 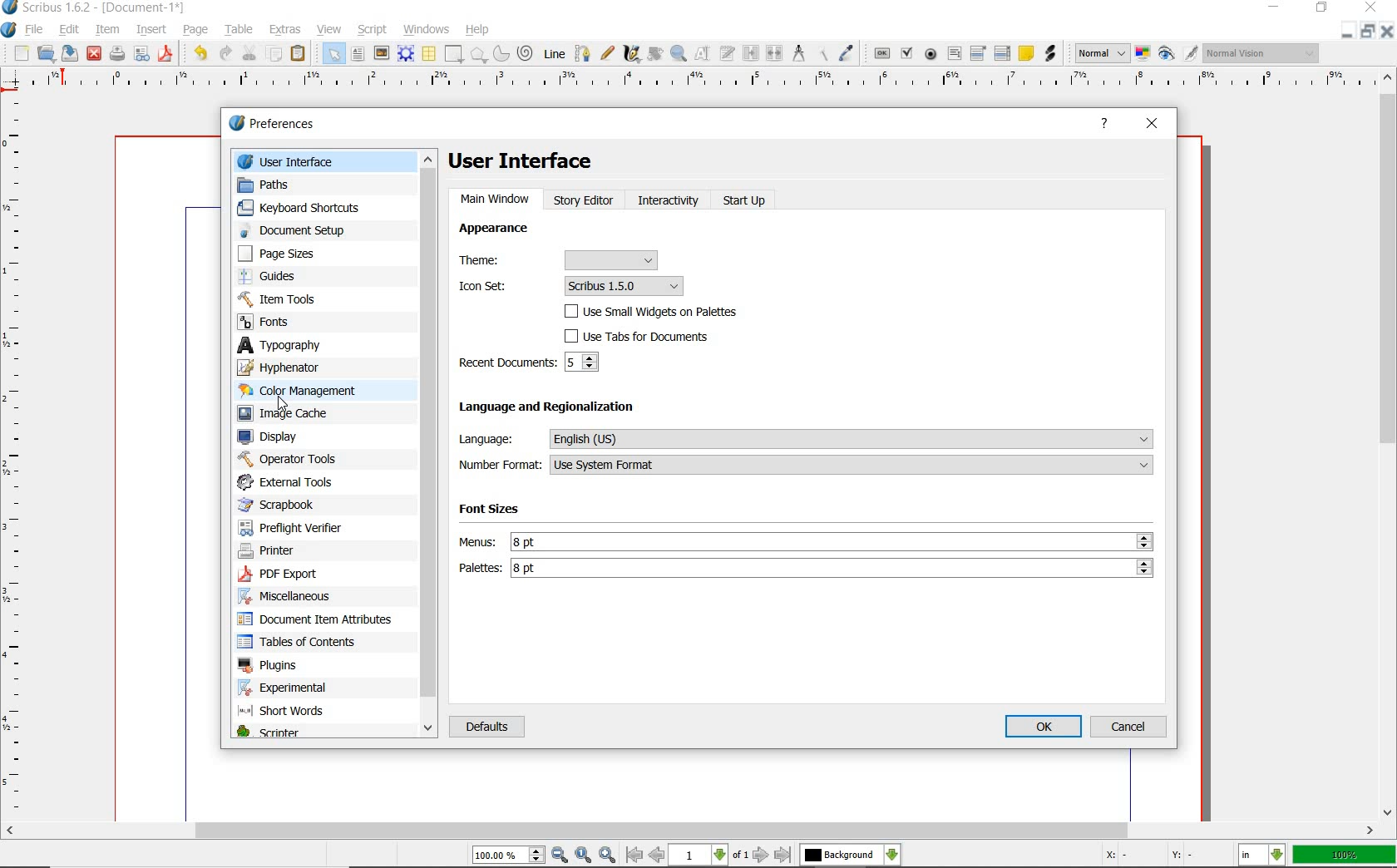 What do you see at coordinates (305, 687) in the screenshot?
I see `experimental` at bounding box center [305, 687].